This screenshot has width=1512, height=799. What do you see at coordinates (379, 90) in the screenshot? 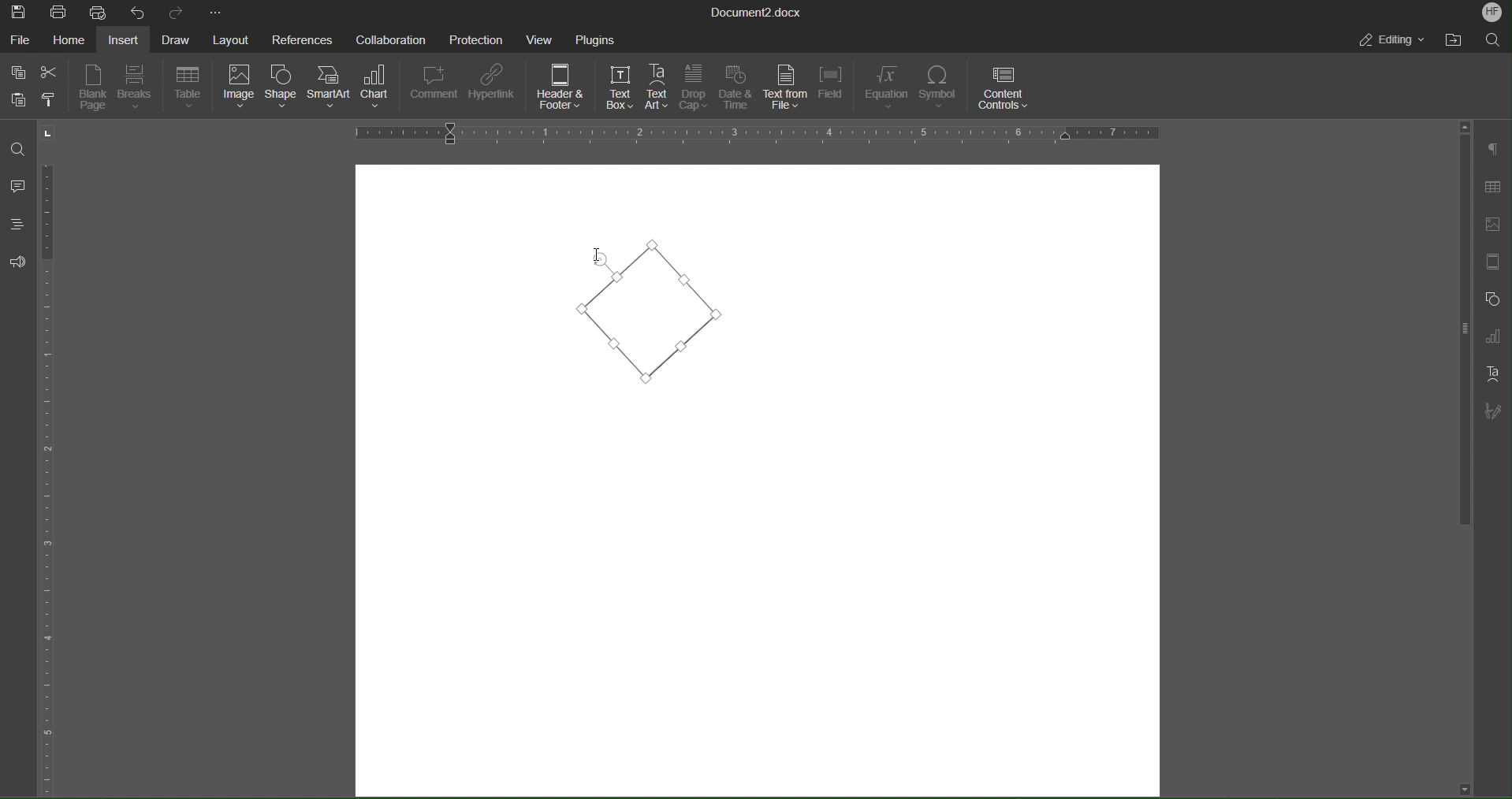
I see `Chart` at bounding box center [379, 90].